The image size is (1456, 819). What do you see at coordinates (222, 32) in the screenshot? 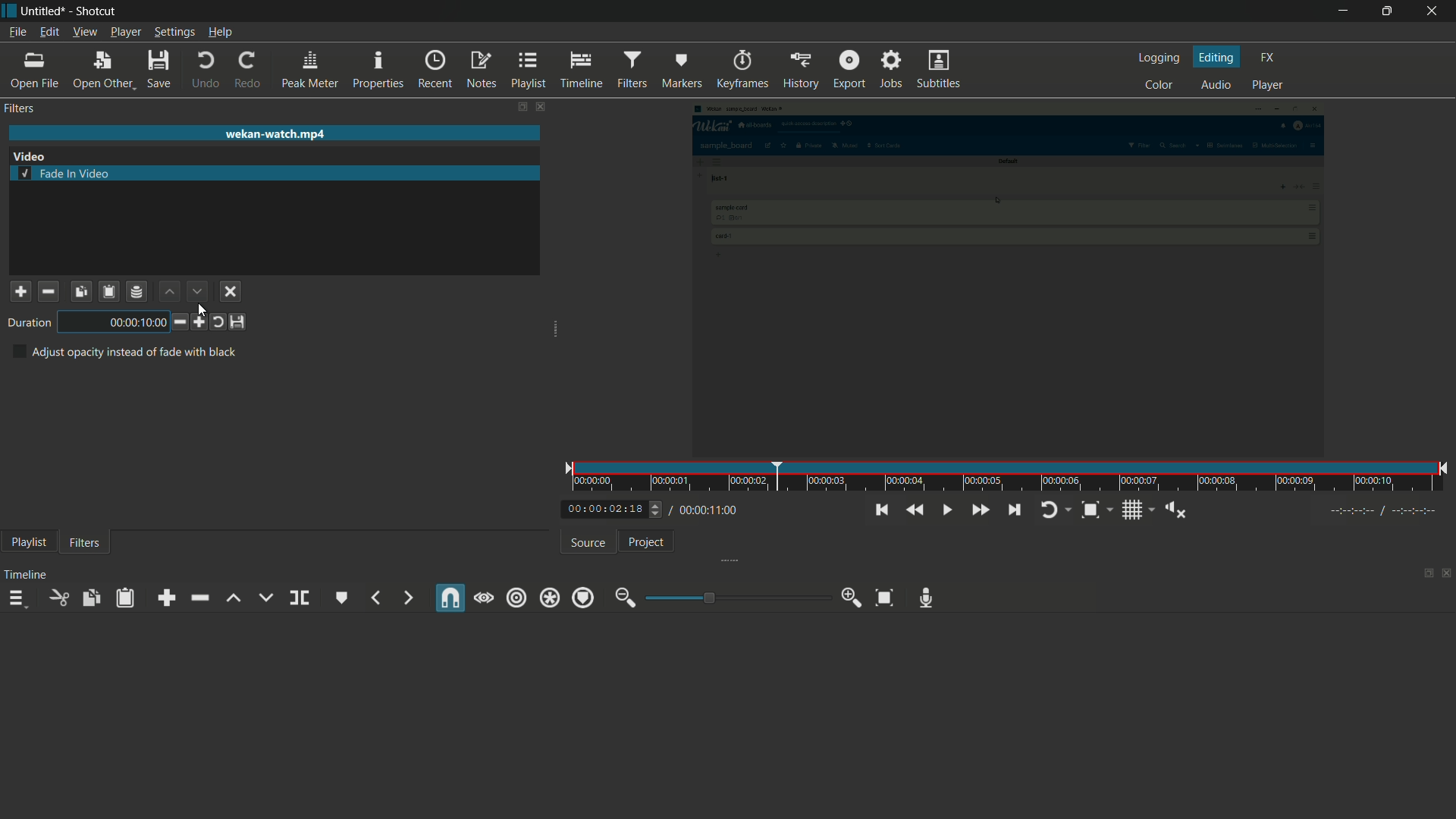
I see `help menu` at bounding box center [222, 32].